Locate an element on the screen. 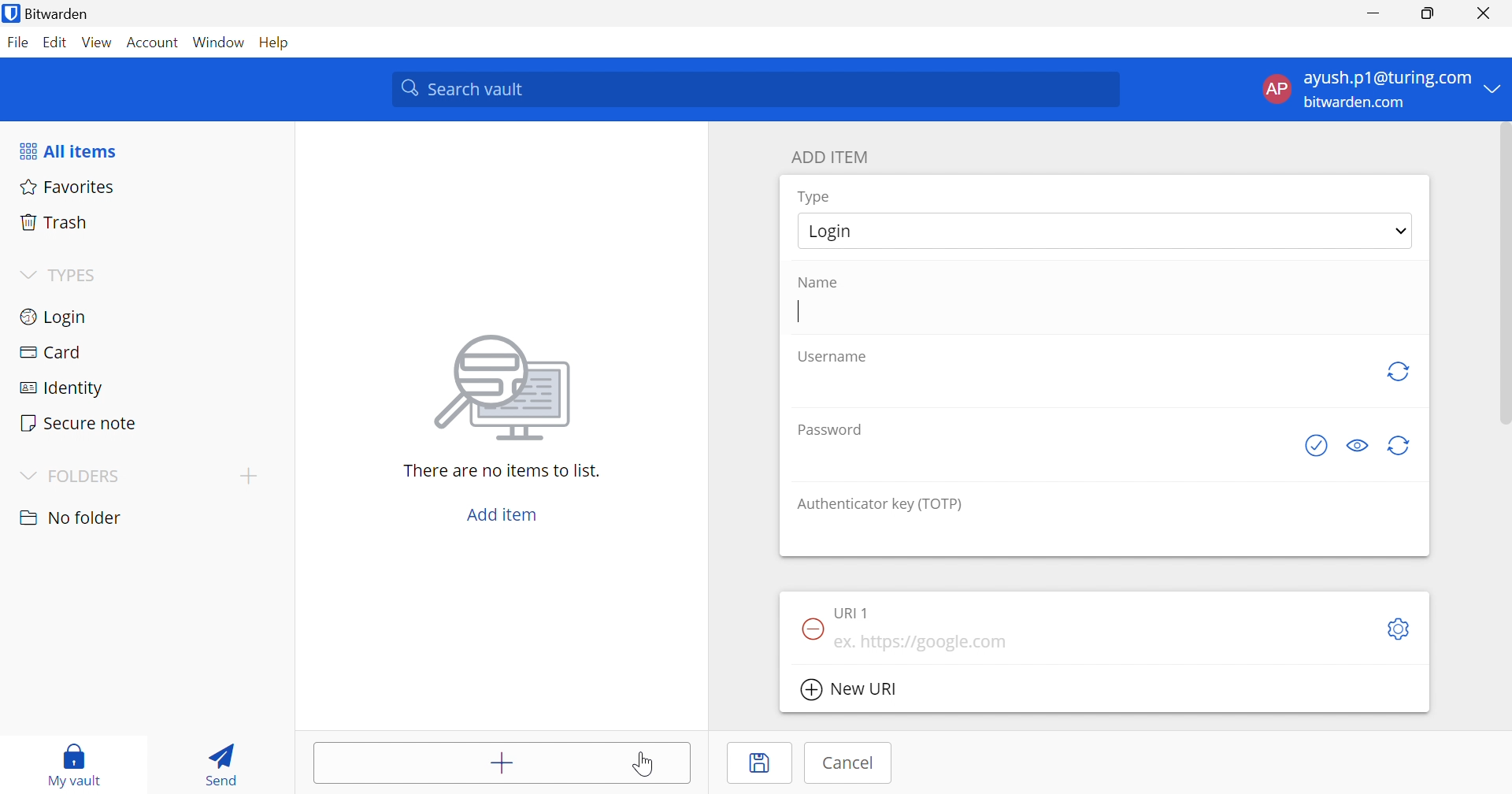 Image resolution: width=1512 pixels, height=794 pixels. Help is located at coordinates (272, 42).